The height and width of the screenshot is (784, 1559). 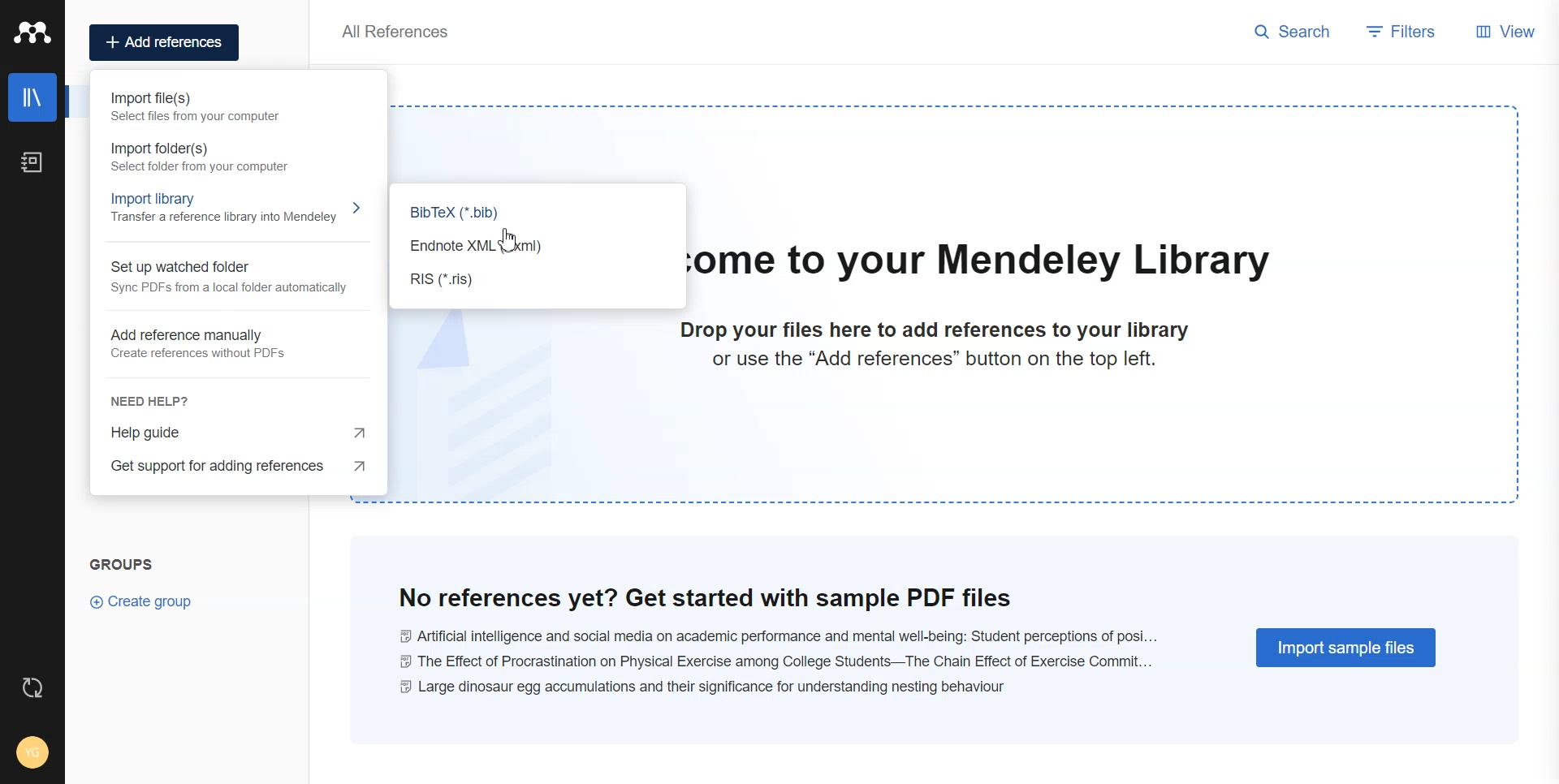 I want to click on Account, so click(x=34, y=751).